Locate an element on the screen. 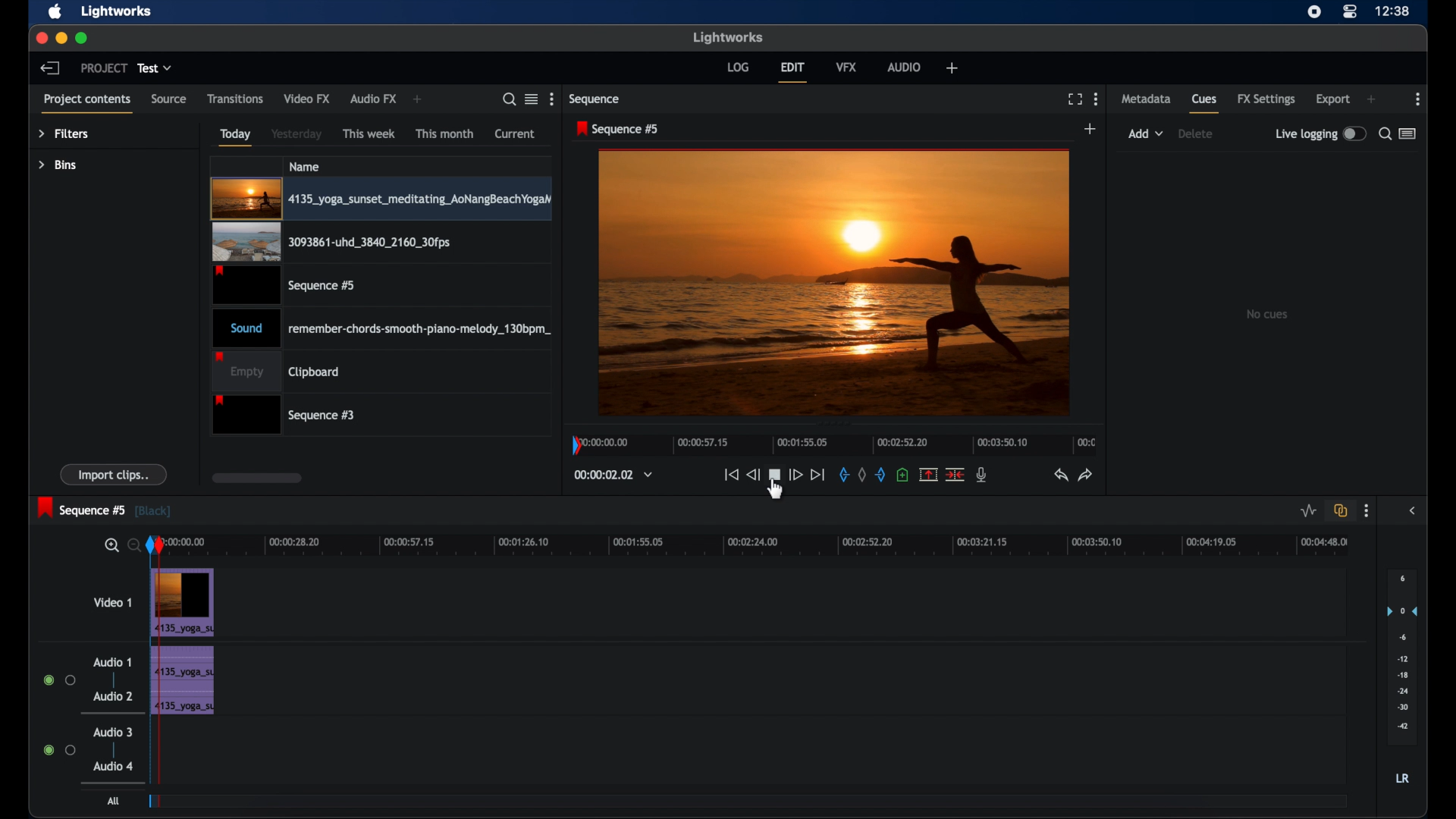 The height and width of the screenshot is (819, 1456). lr is located at coordinates (1403, 778).